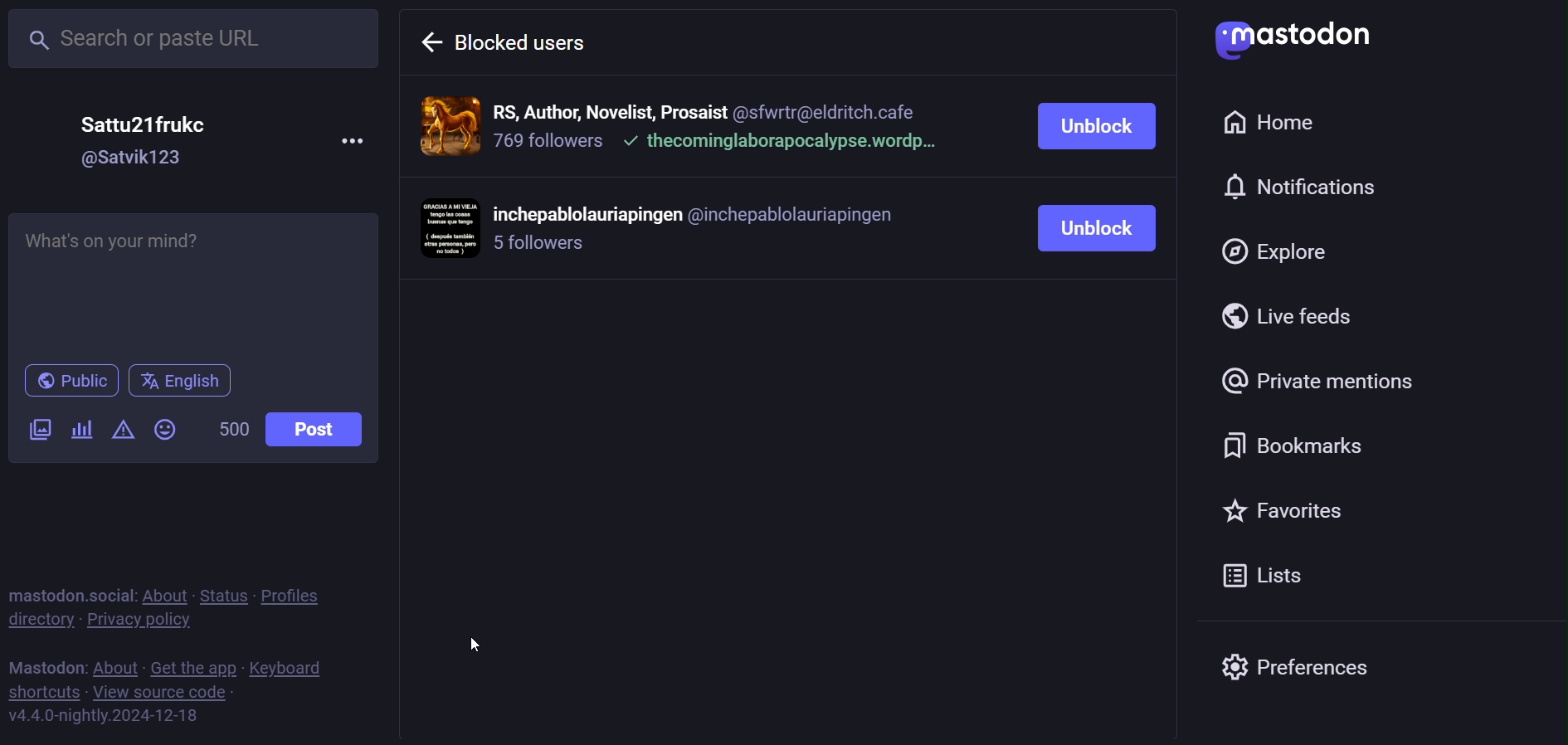 The height and width of the screenshot is (745, 1568). Describe the element at coordinates (1300, 670) in the screenshot. I see `preferences` at that location.